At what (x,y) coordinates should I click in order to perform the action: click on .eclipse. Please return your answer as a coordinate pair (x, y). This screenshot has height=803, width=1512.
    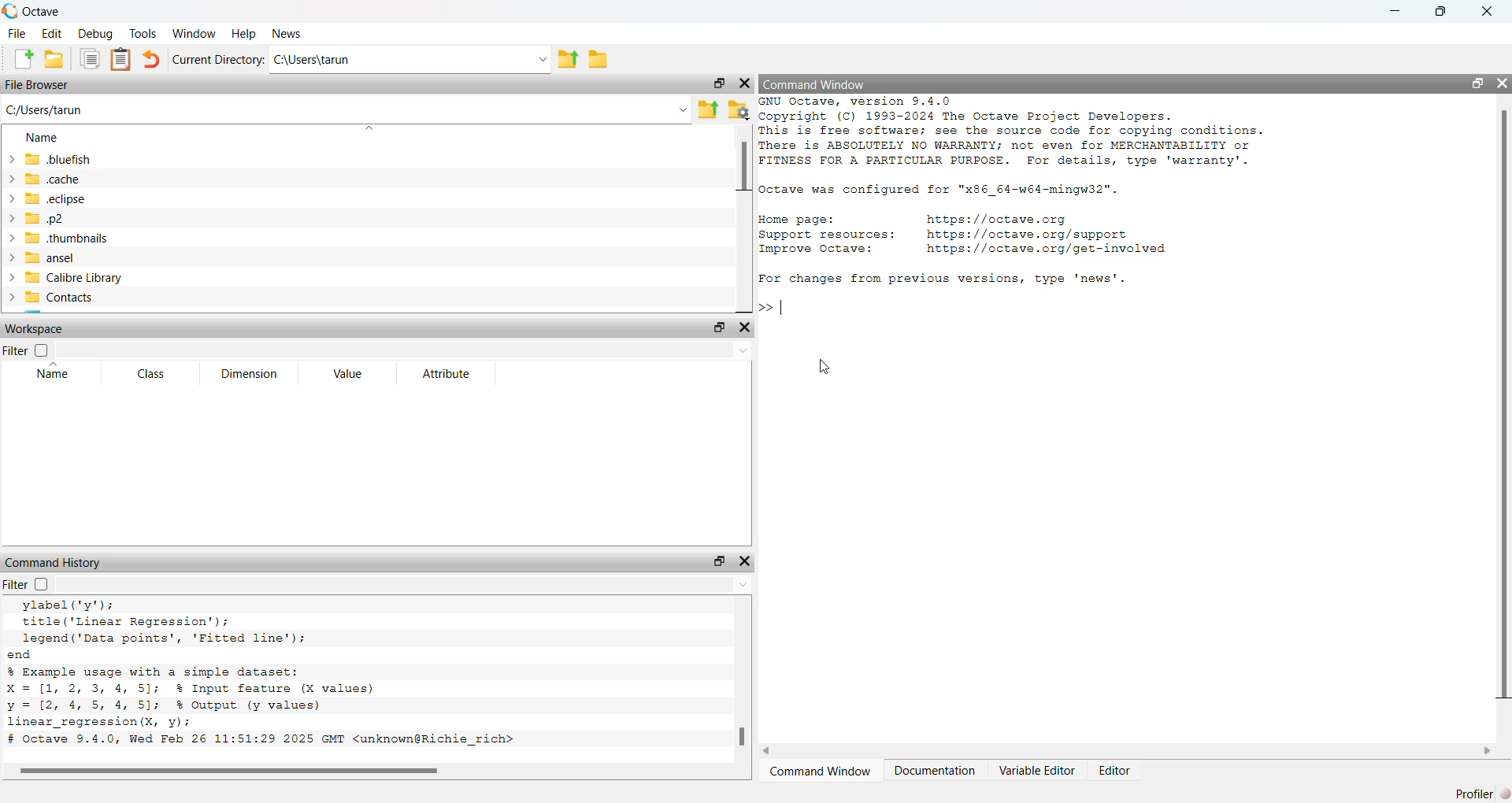
    Looking at the image, I should click on (98, 198).